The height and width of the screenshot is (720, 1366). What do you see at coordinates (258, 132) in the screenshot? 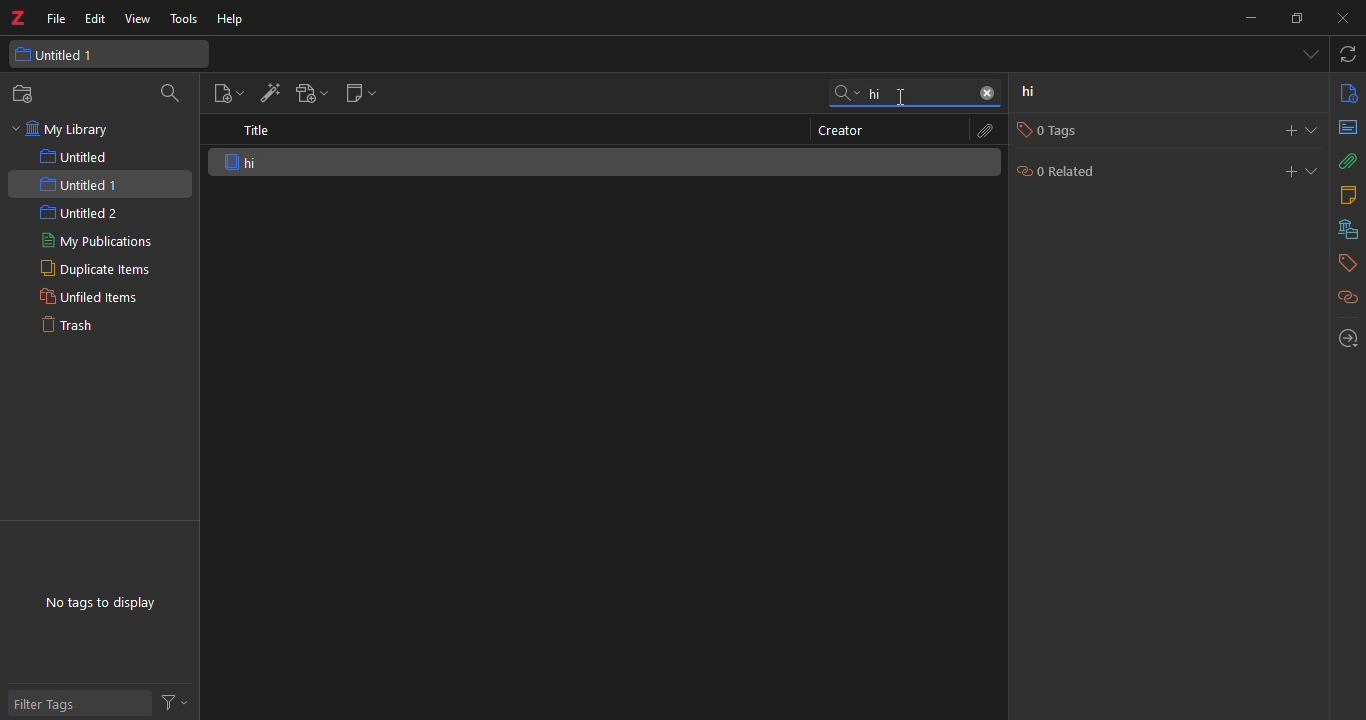
I see `title` at bounding box center [258, 132].